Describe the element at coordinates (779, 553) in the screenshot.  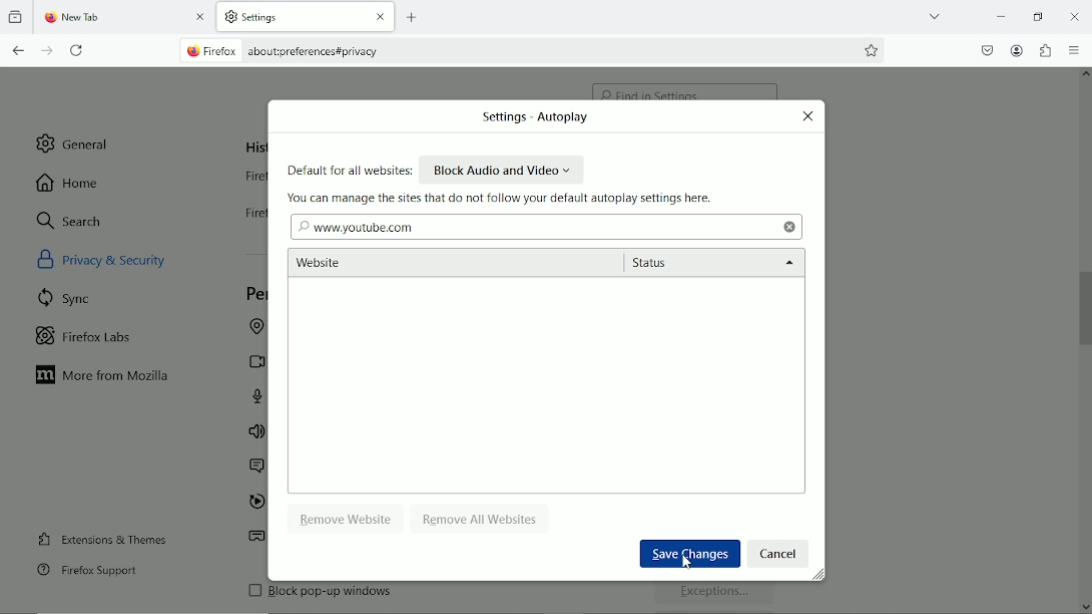
I see `` at that location.